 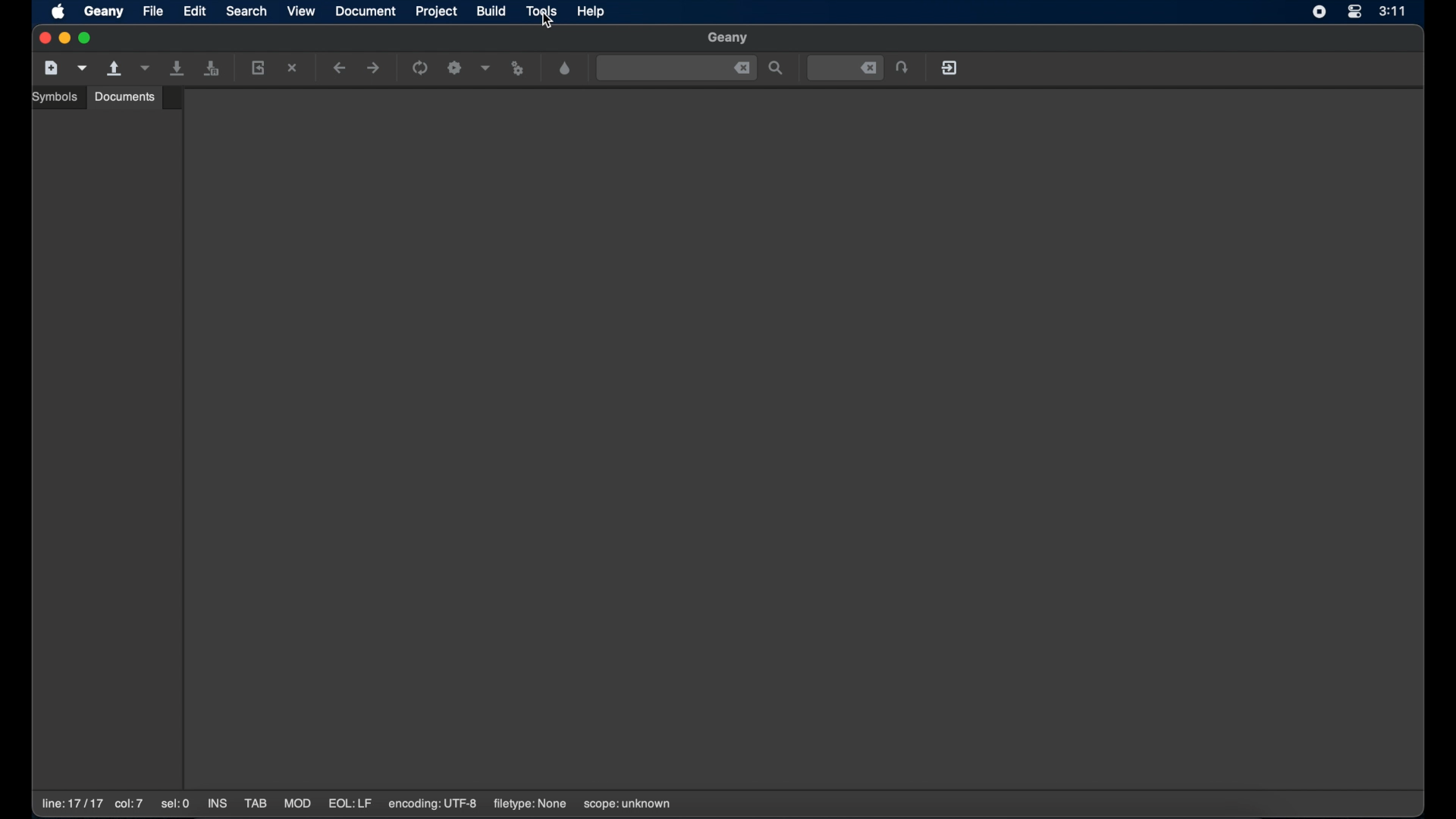 I want to click on run or view the current file file, so click(x=520, y=69).